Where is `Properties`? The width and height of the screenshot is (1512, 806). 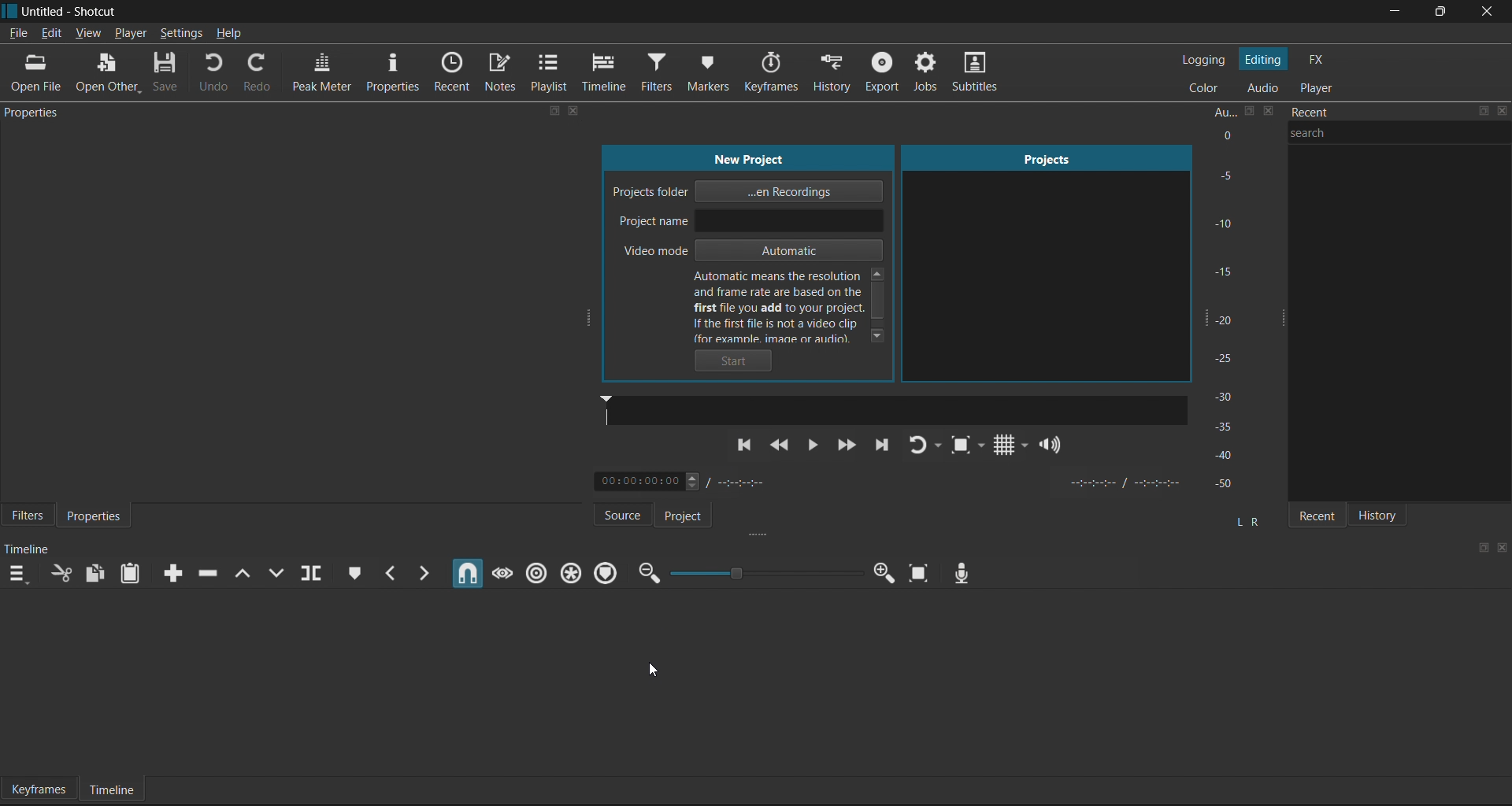 Properties is located at coordinates (393, 72).